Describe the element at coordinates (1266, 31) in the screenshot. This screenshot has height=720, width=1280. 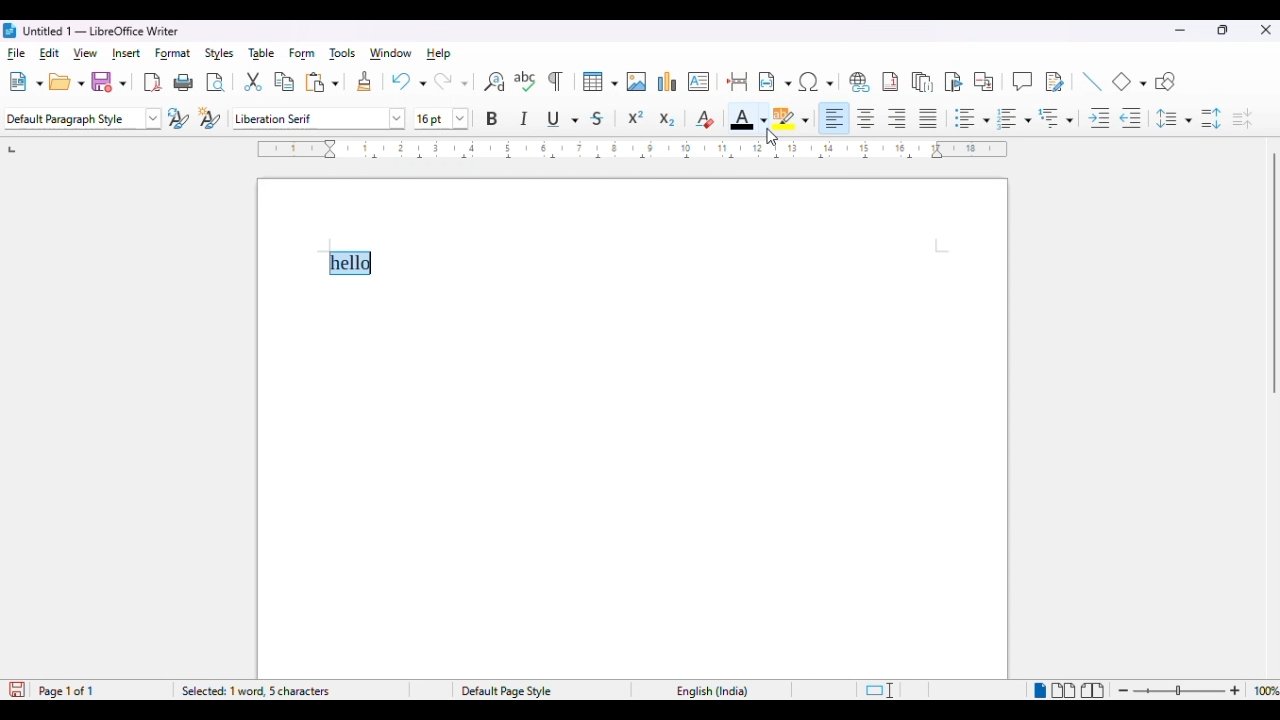
I see `close` at that location.